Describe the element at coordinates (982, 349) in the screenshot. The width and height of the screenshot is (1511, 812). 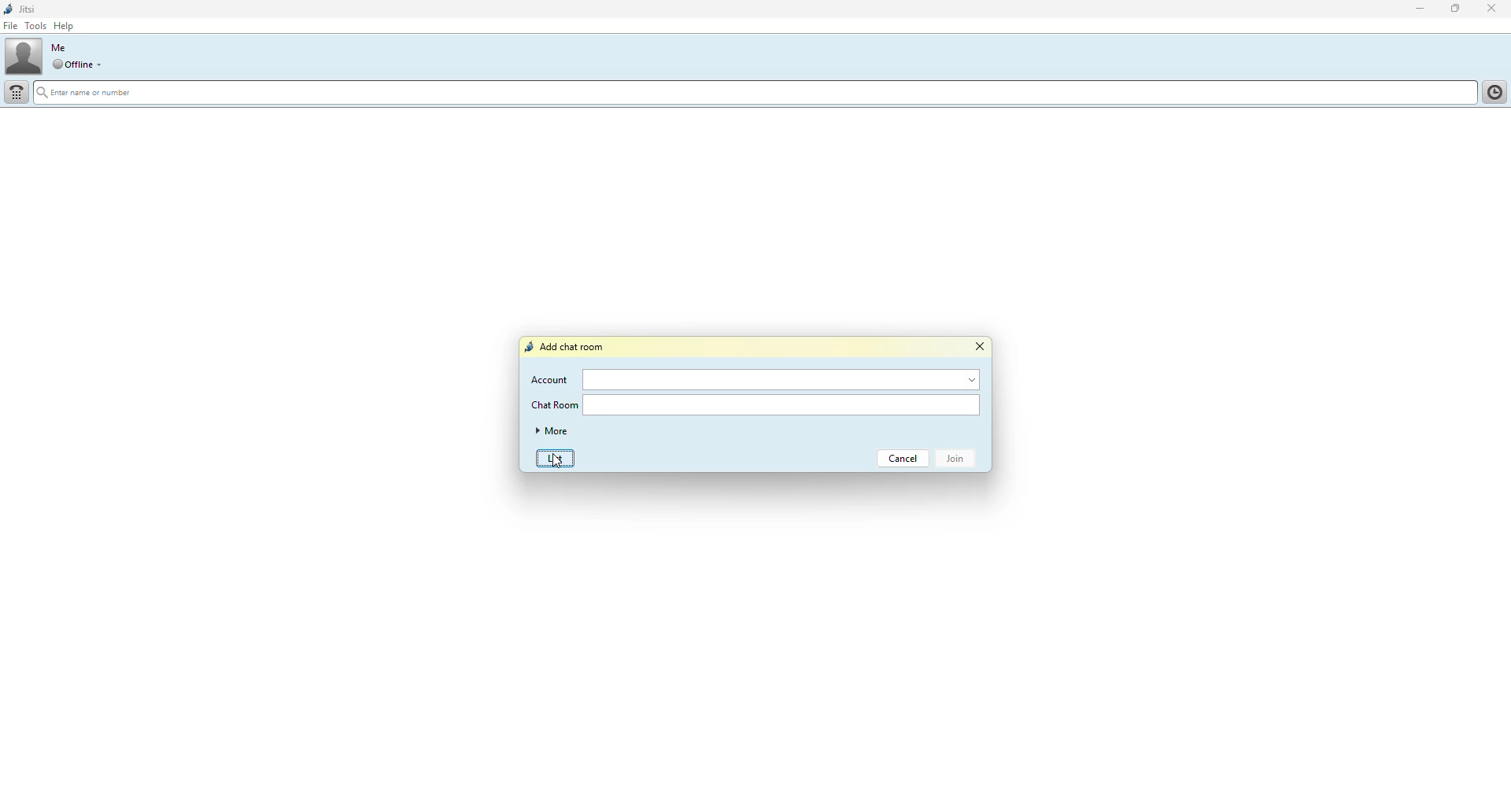
I see `close` at that location.